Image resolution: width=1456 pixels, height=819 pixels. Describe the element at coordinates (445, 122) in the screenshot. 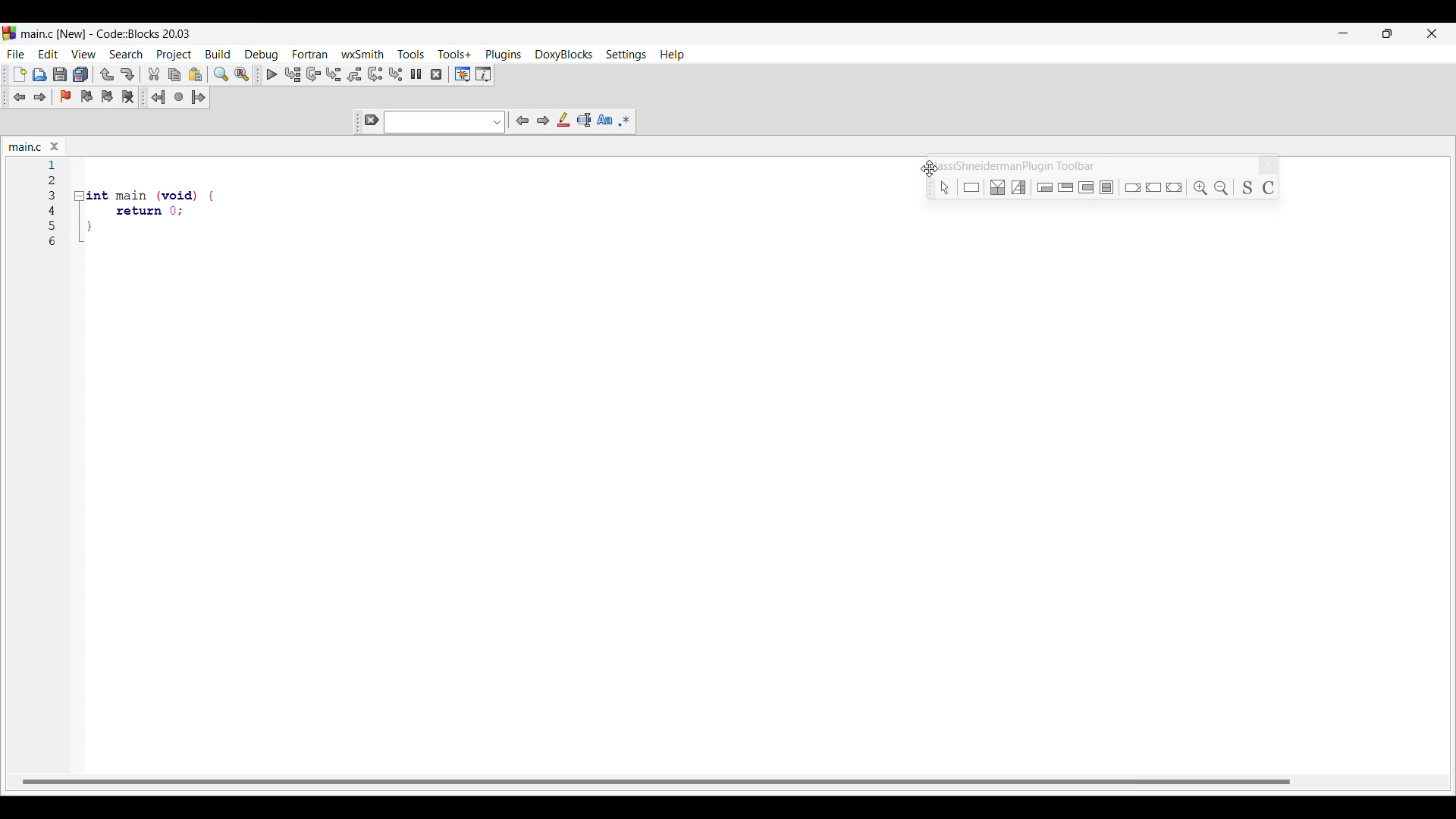

I see `Text box and text options ` at that location.